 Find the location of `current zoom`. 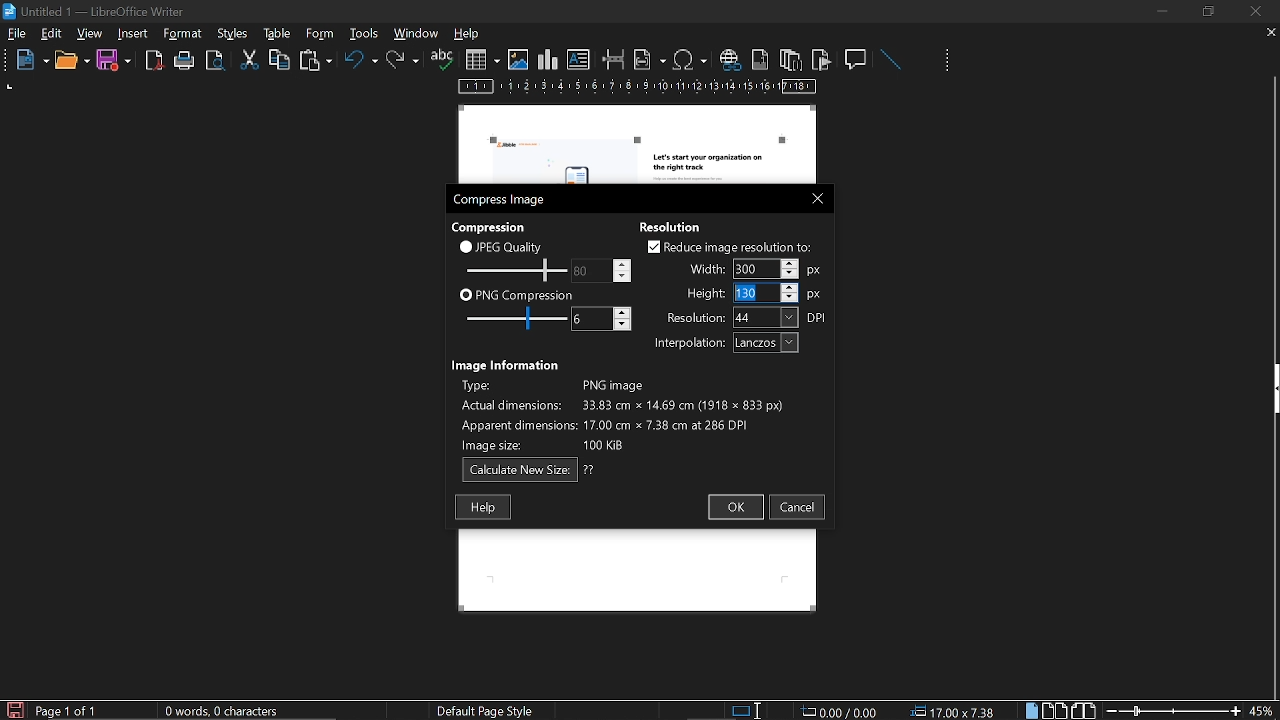

current zoom is located at coordinates (1263, 710).